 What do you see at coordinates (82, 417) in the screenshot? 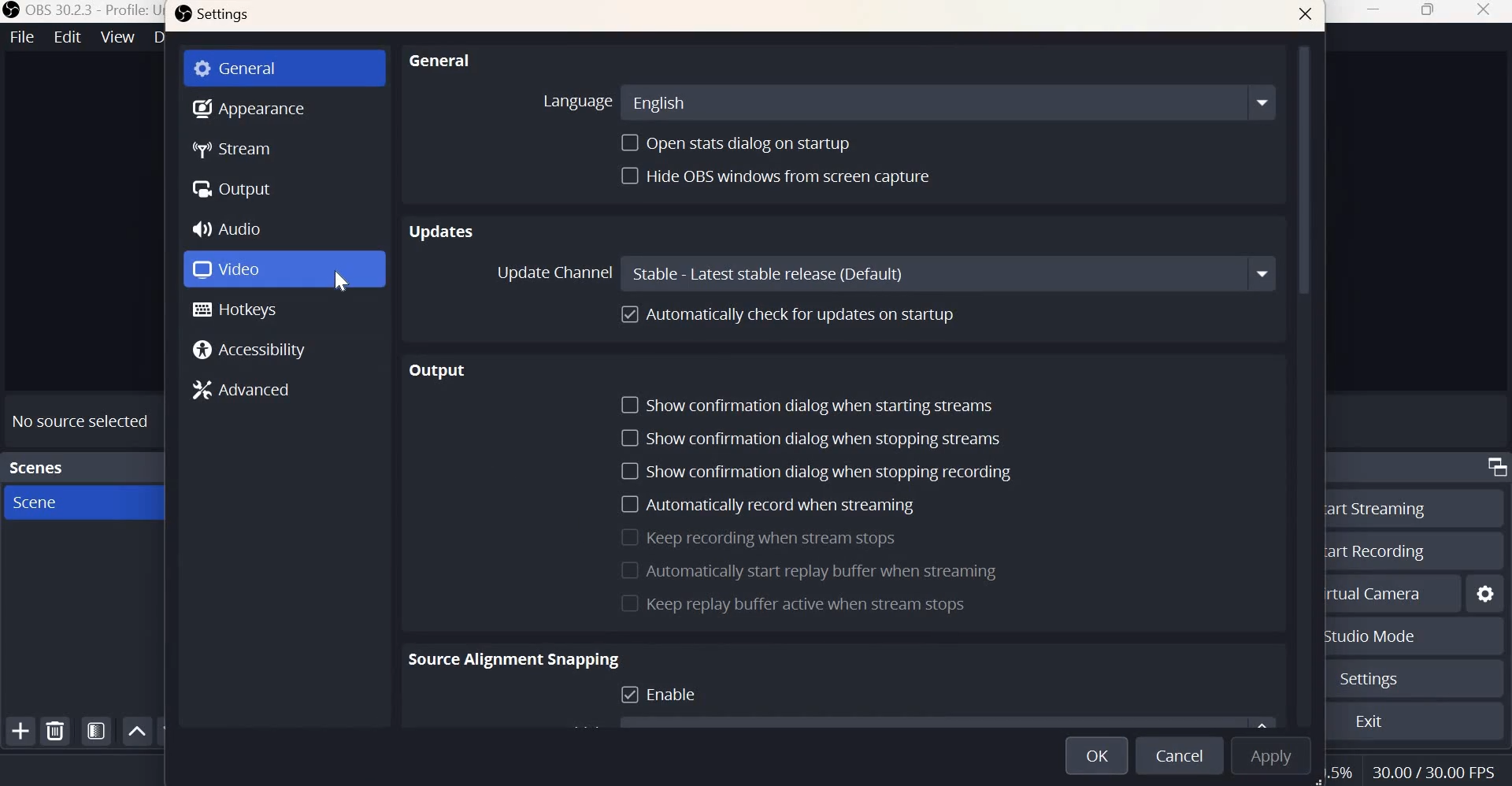
I see `No source selected` at bounding box center [82, 417].